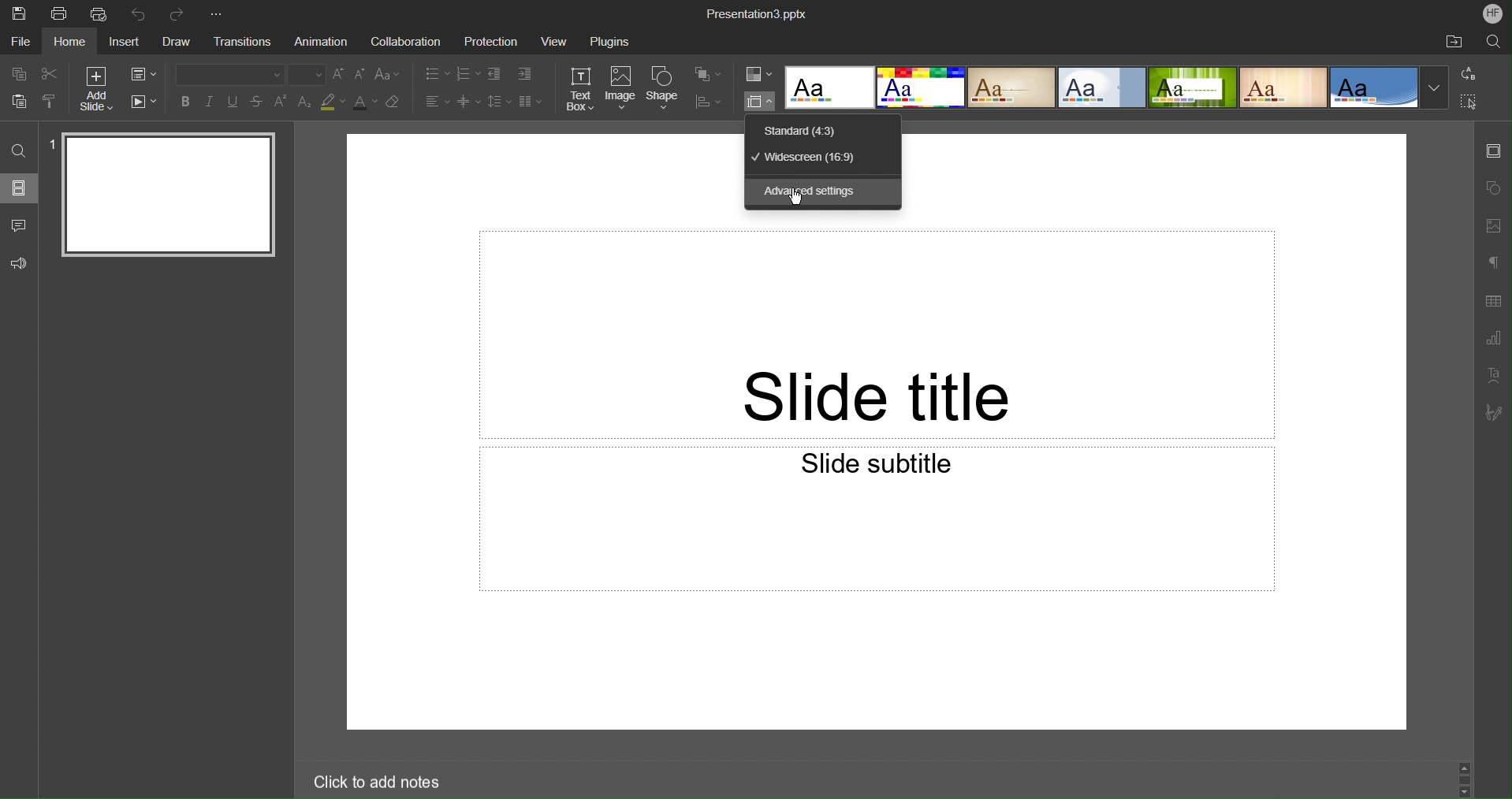  Describe the element at coordinates (530, 102) in the screenshot. I see `Column` at that location.